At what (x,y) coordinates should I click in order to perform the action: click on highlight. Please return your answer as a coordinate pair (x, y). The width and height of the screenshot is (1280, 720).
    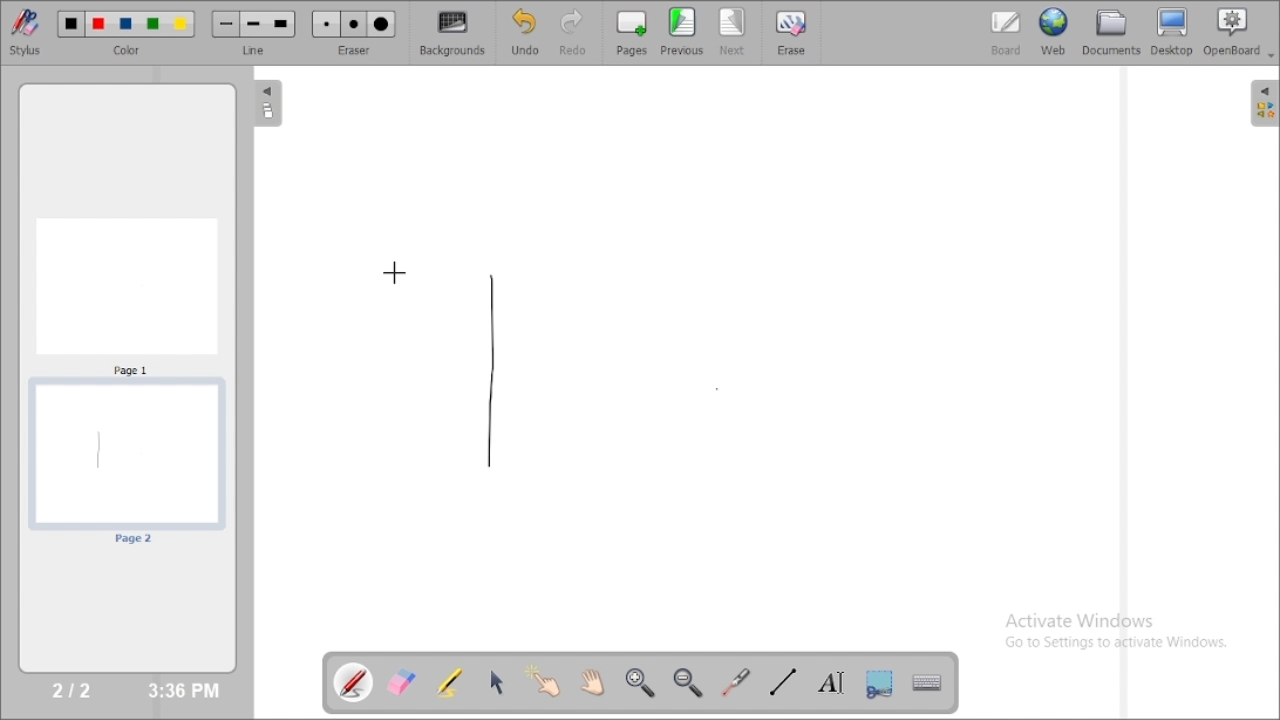
    Looking at the image, I should click on (449, 681).